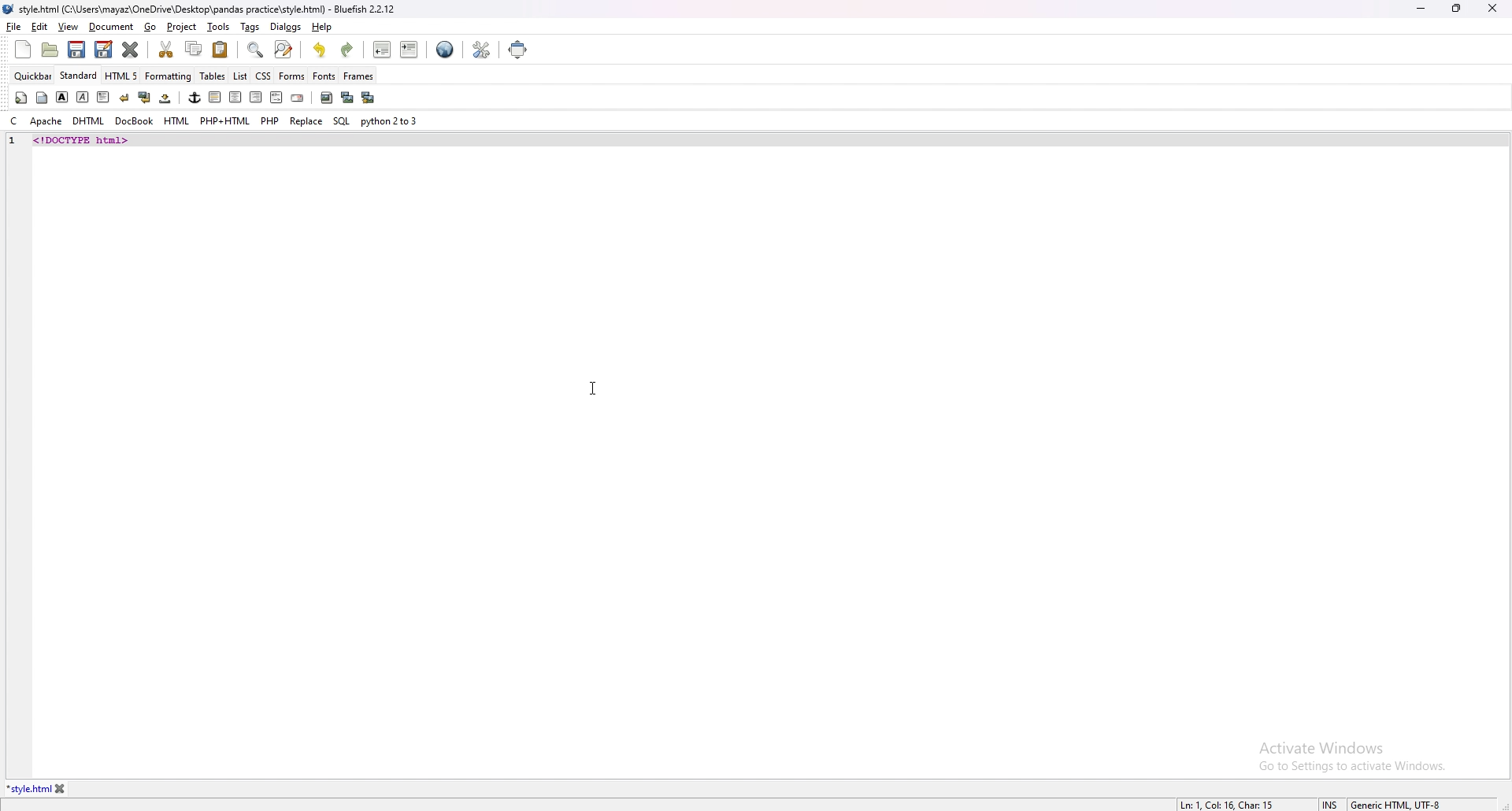  Describe the element at coordinates (68, 27) in the screenshot. I see `view` at that location.